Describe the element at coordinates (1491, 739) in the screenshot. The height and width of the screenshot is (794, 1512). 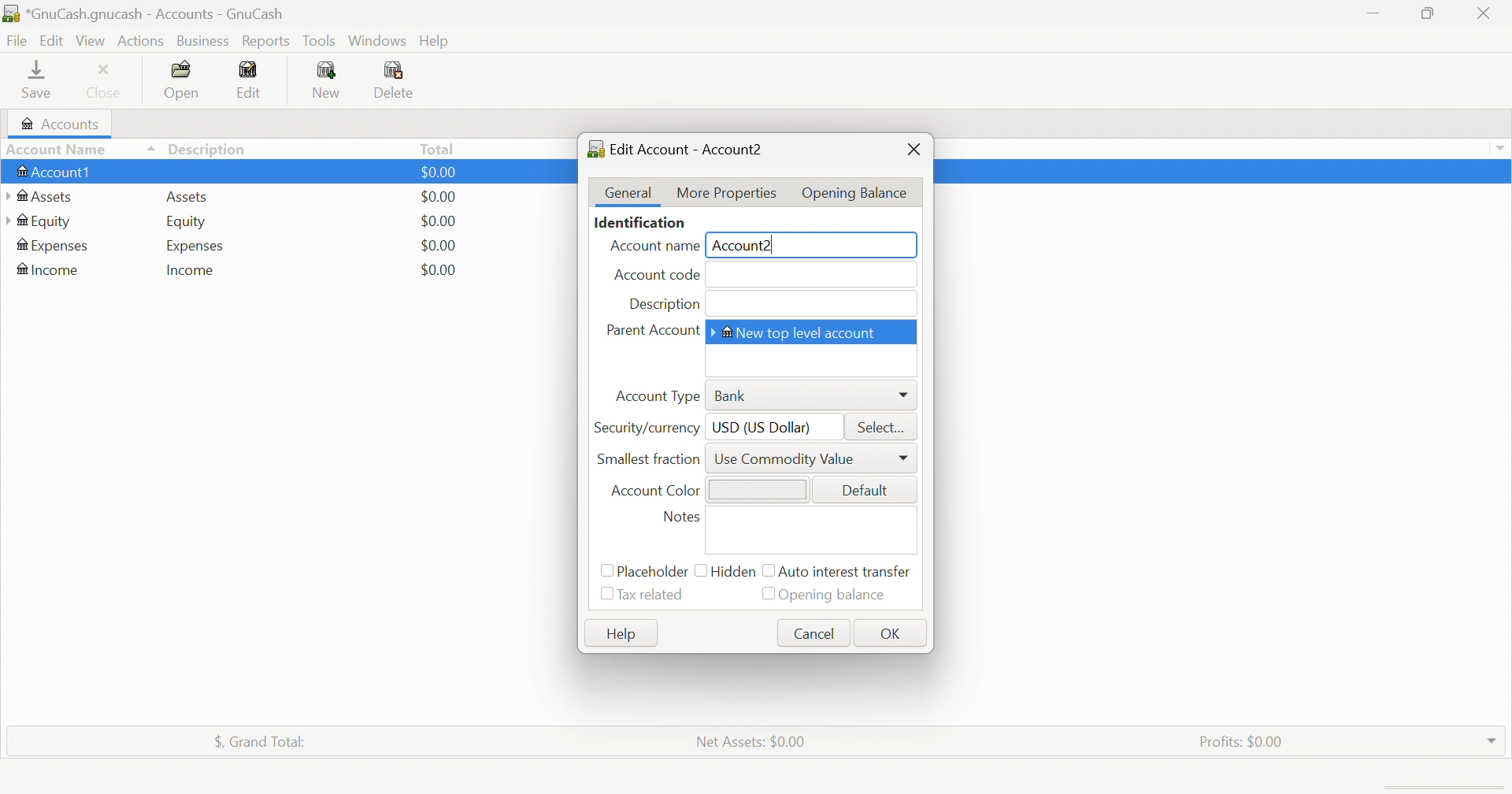
I see `Drop Down` at that location.